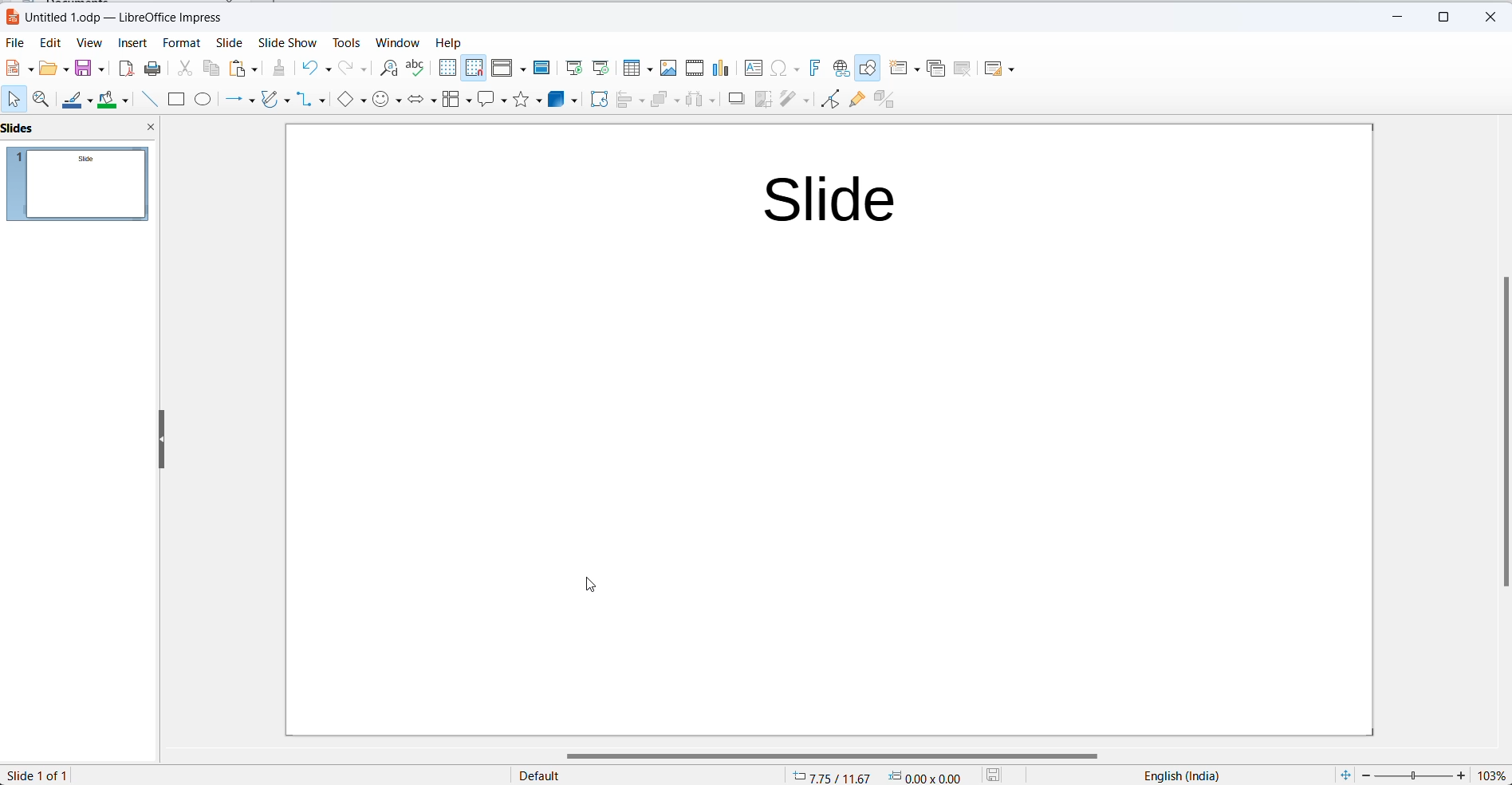 This screenshot has width=1512, height=785. What do you see at coordinates (888, 101) in the screenshot?
I see `Toggle extrusion` at bounding box center [888, 101].